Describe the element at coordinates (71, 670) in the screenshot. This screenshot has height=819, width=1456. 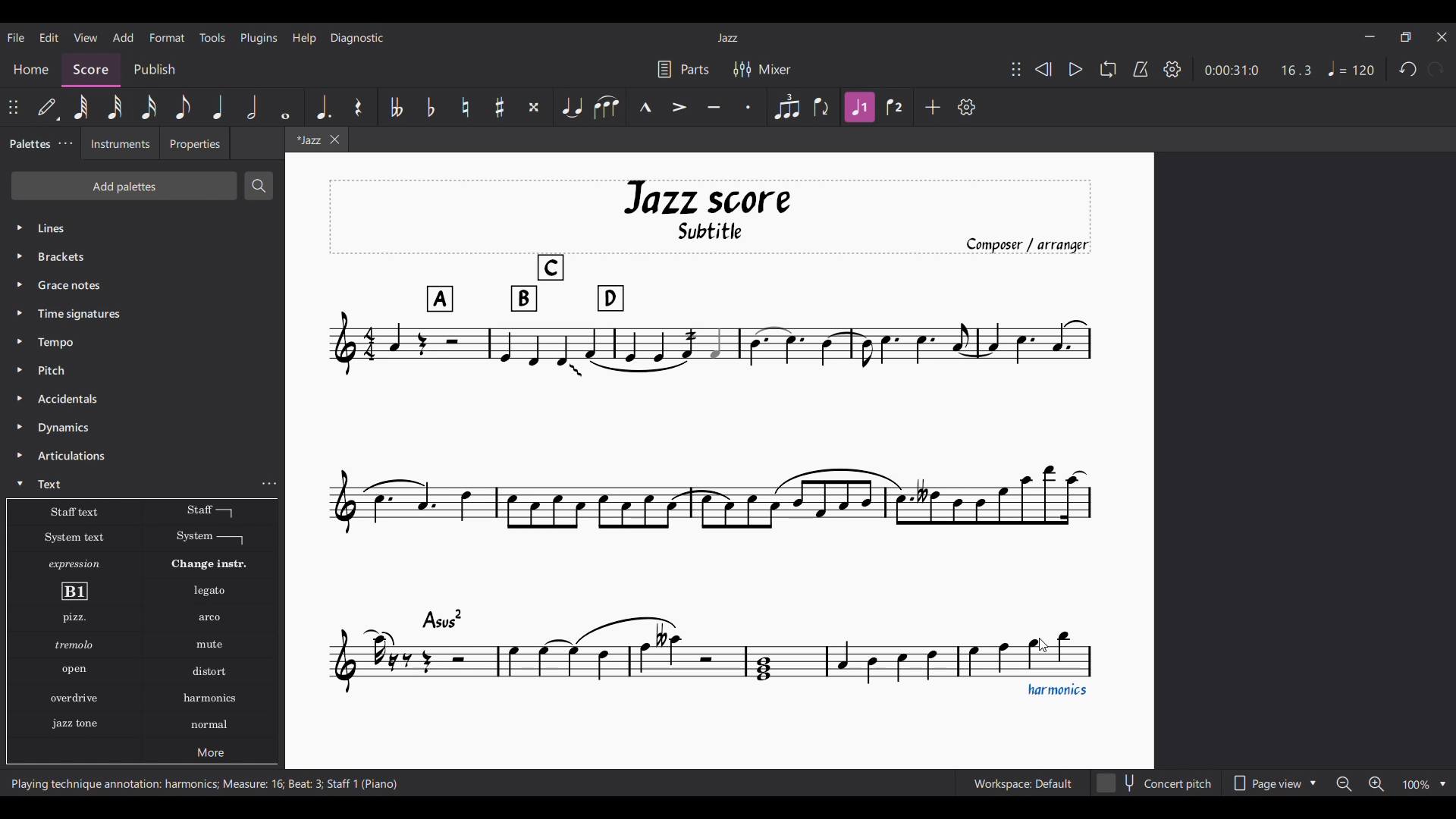
I see `` at that location.